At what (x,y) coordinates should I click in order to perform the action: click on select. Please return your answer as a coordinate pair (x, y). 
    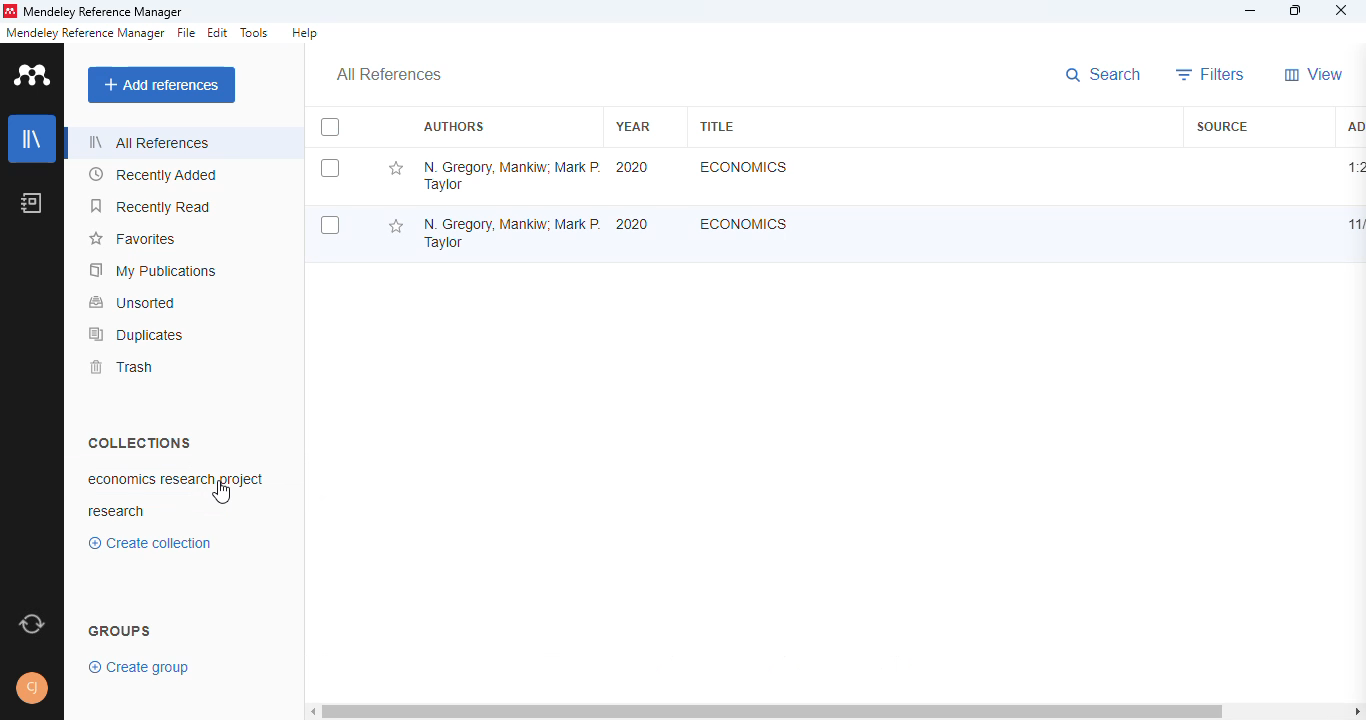
    Looking at the image, I should click on (330, 226).